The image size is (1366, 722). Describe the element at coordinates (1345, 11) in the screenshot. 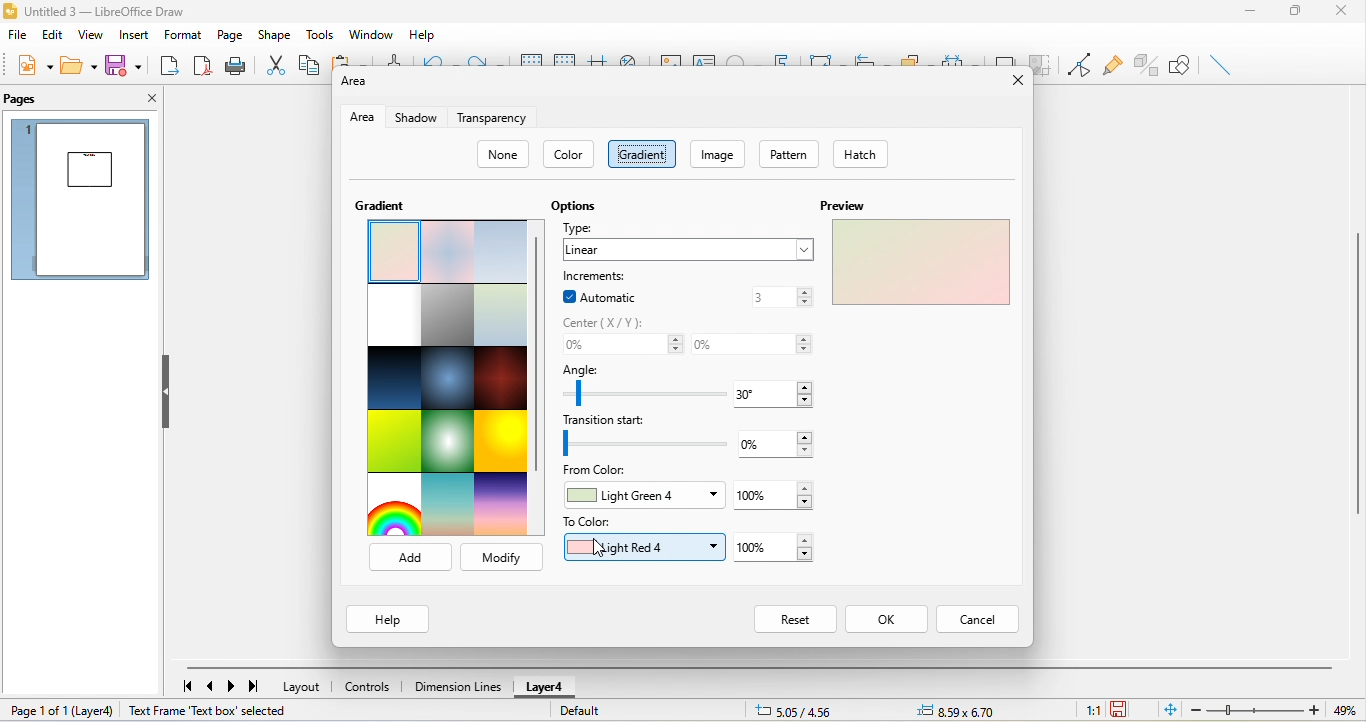

I see `close` at that location.